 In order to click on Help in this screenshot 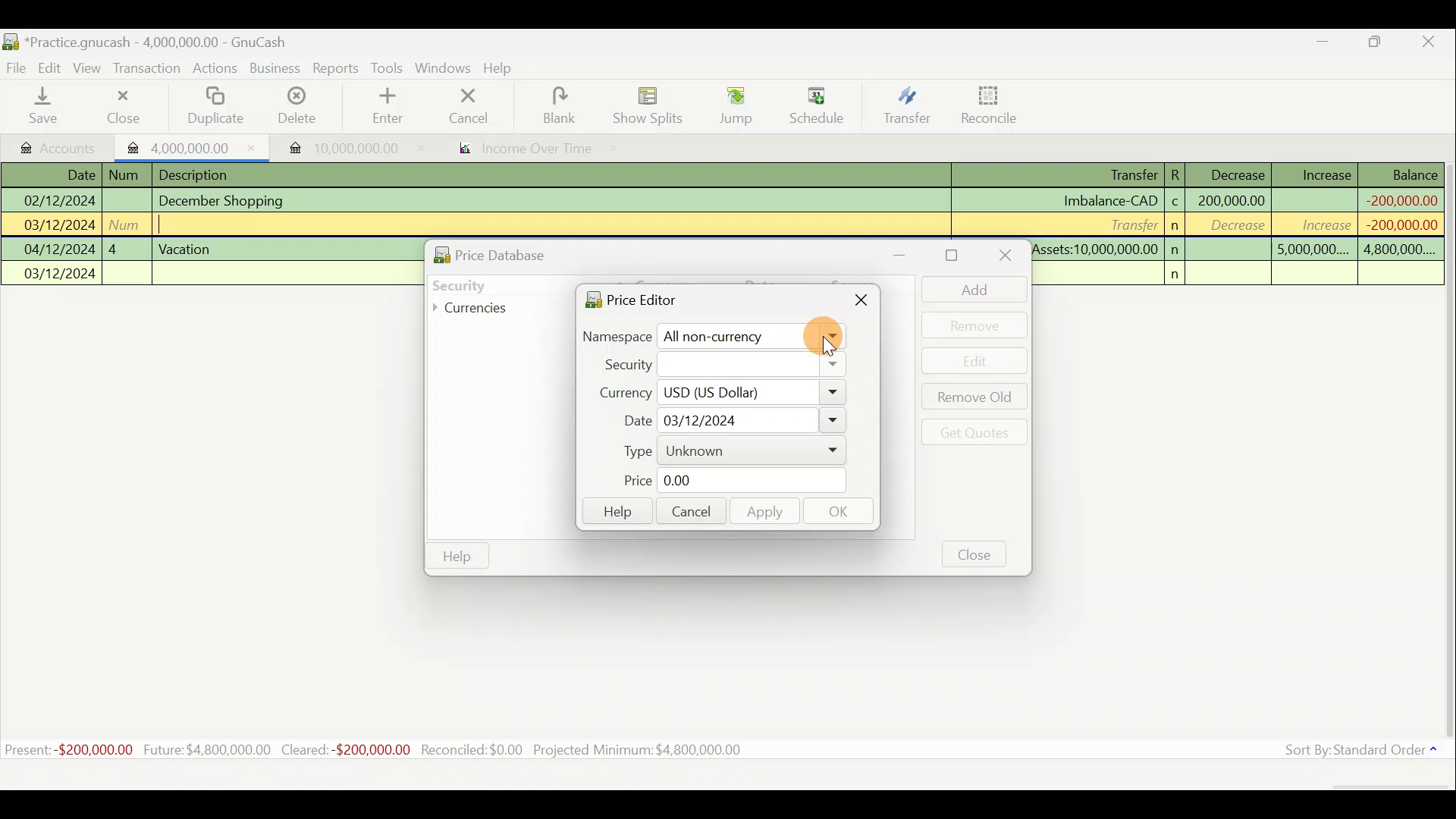, I will do `click(504, 70)`.